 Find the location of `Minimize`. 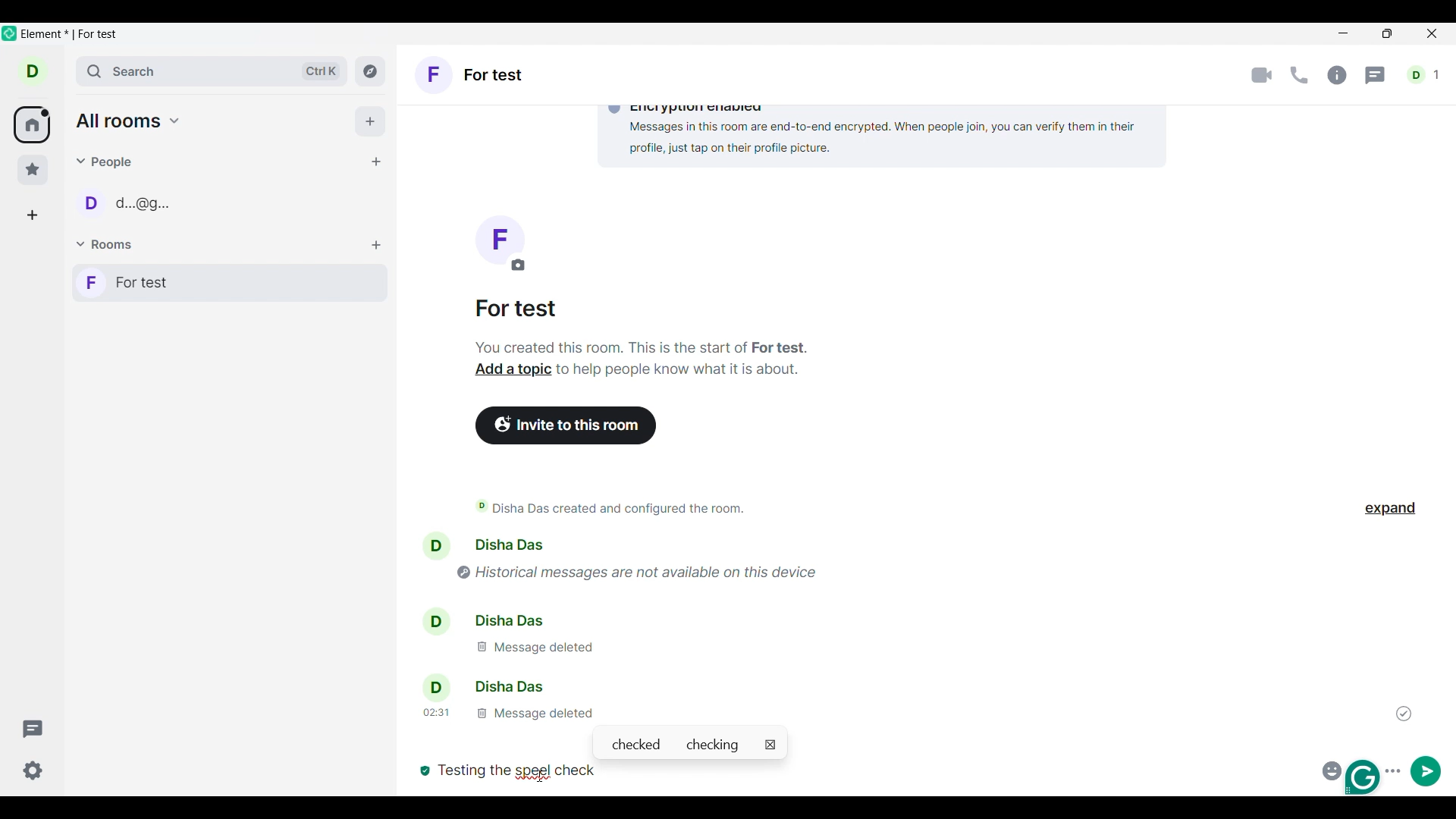

Minimize is located at coordinates (1344, 33).